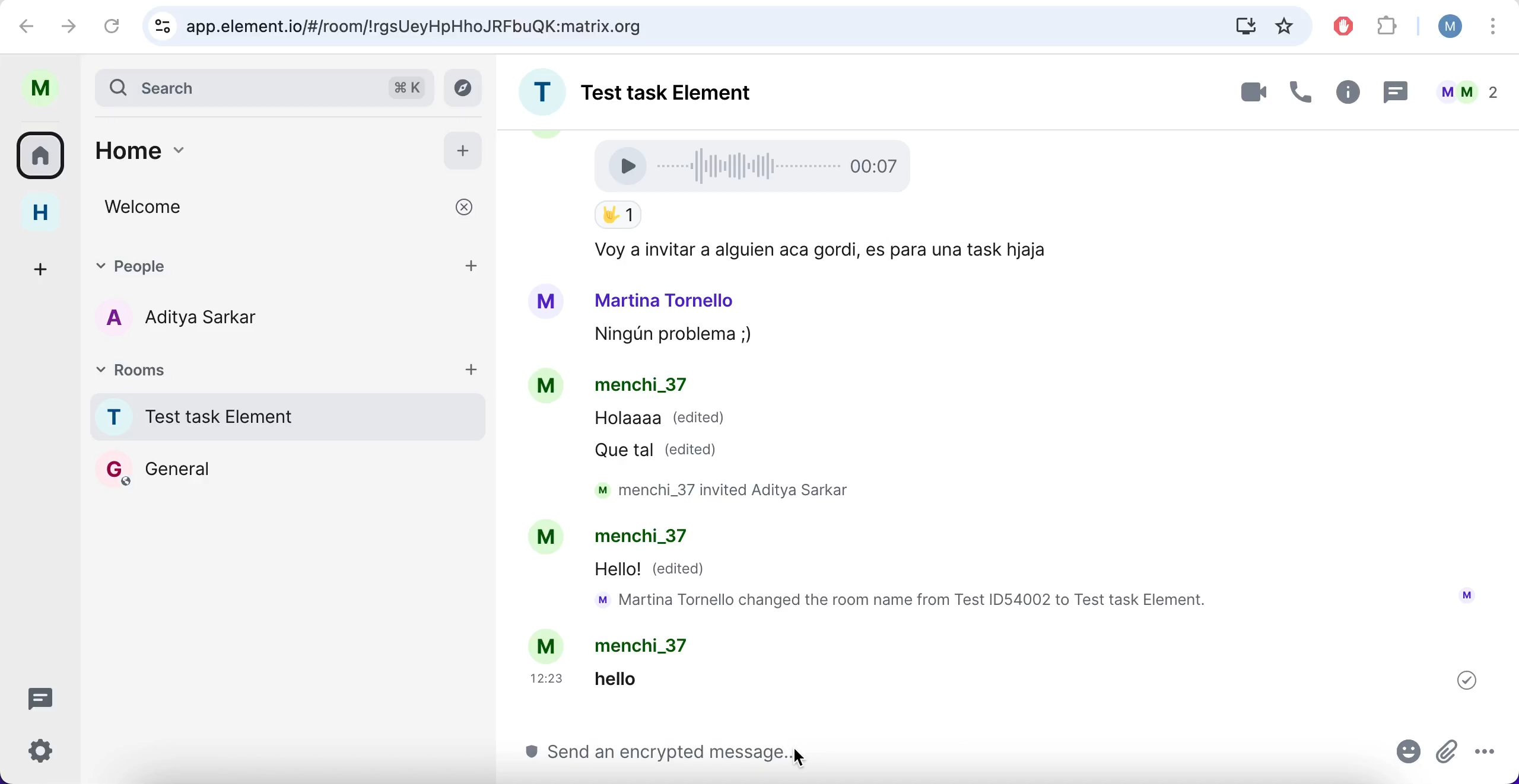  What do you see at coordinates (45, 267) in the screenshot?
I see `create a space` at bounding box center [45, 267].